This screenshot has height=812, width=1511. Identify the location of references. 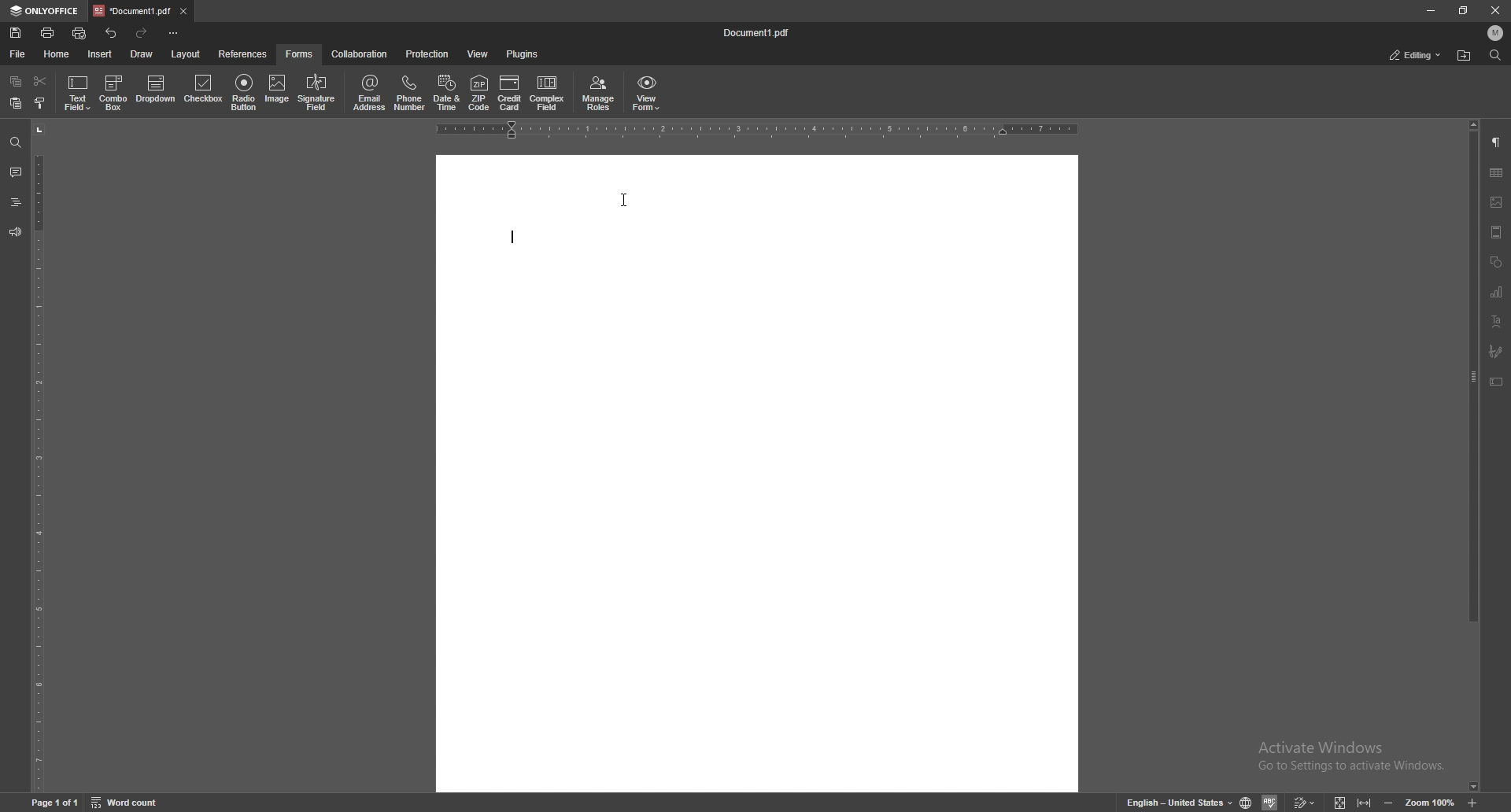
(243, 54).